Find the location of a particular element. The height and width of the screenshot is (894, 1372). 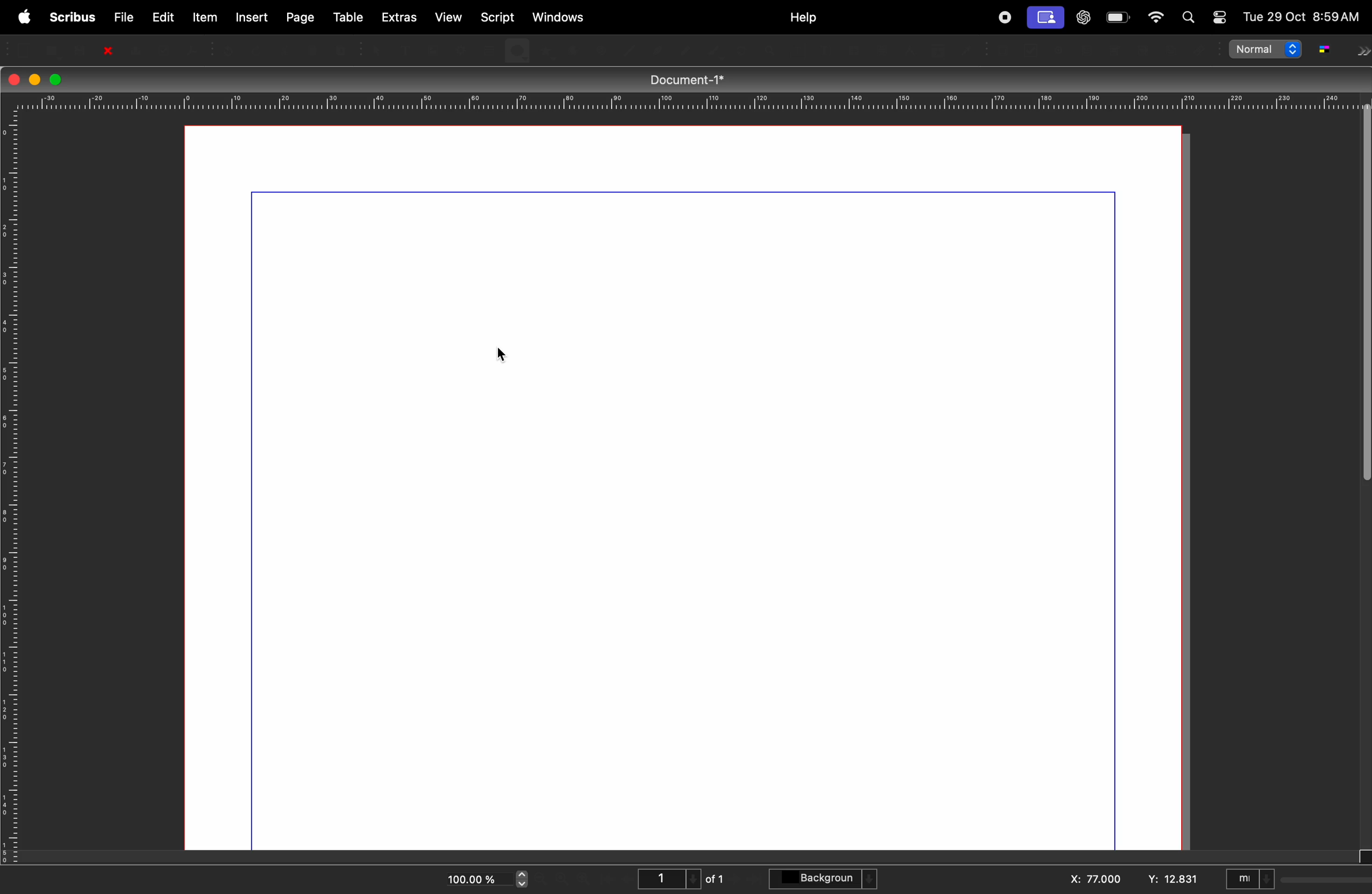

Cut is located at coordinates (285, 48).